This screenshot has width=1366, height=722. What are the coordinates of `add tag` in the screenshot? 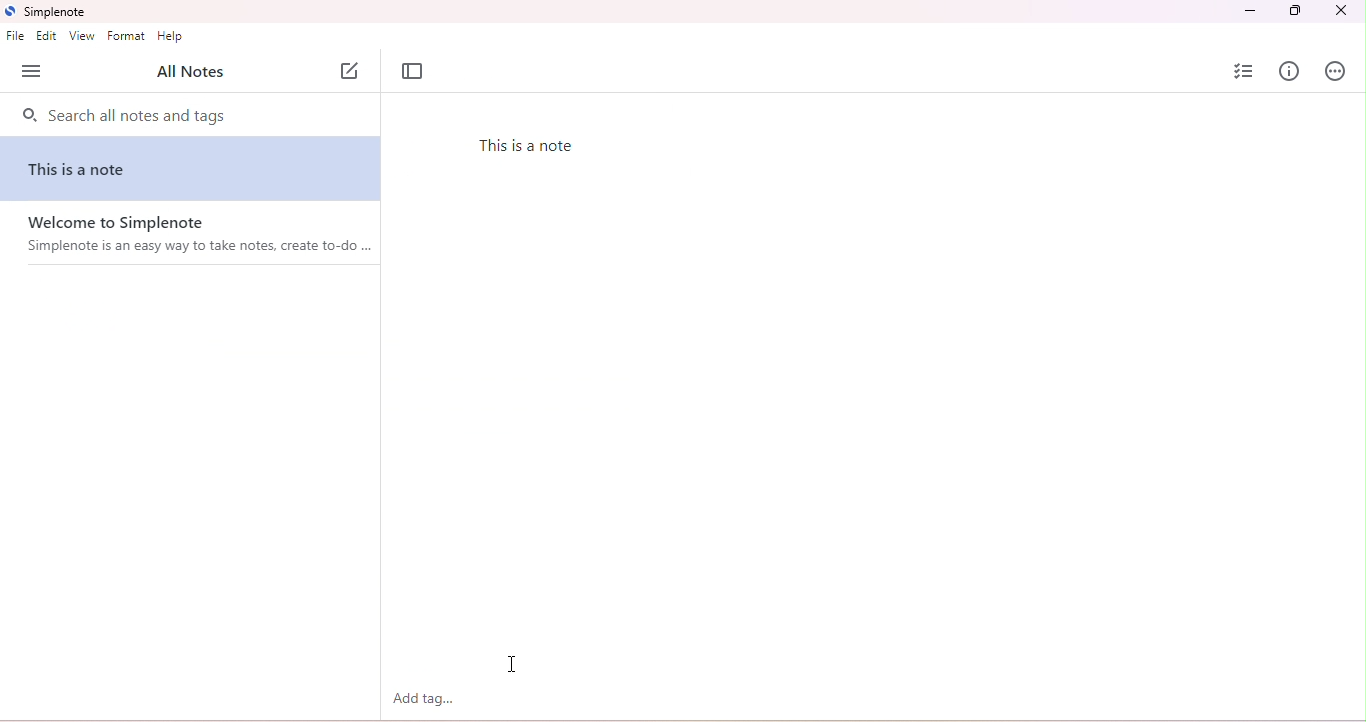 It's located at (423, 698).